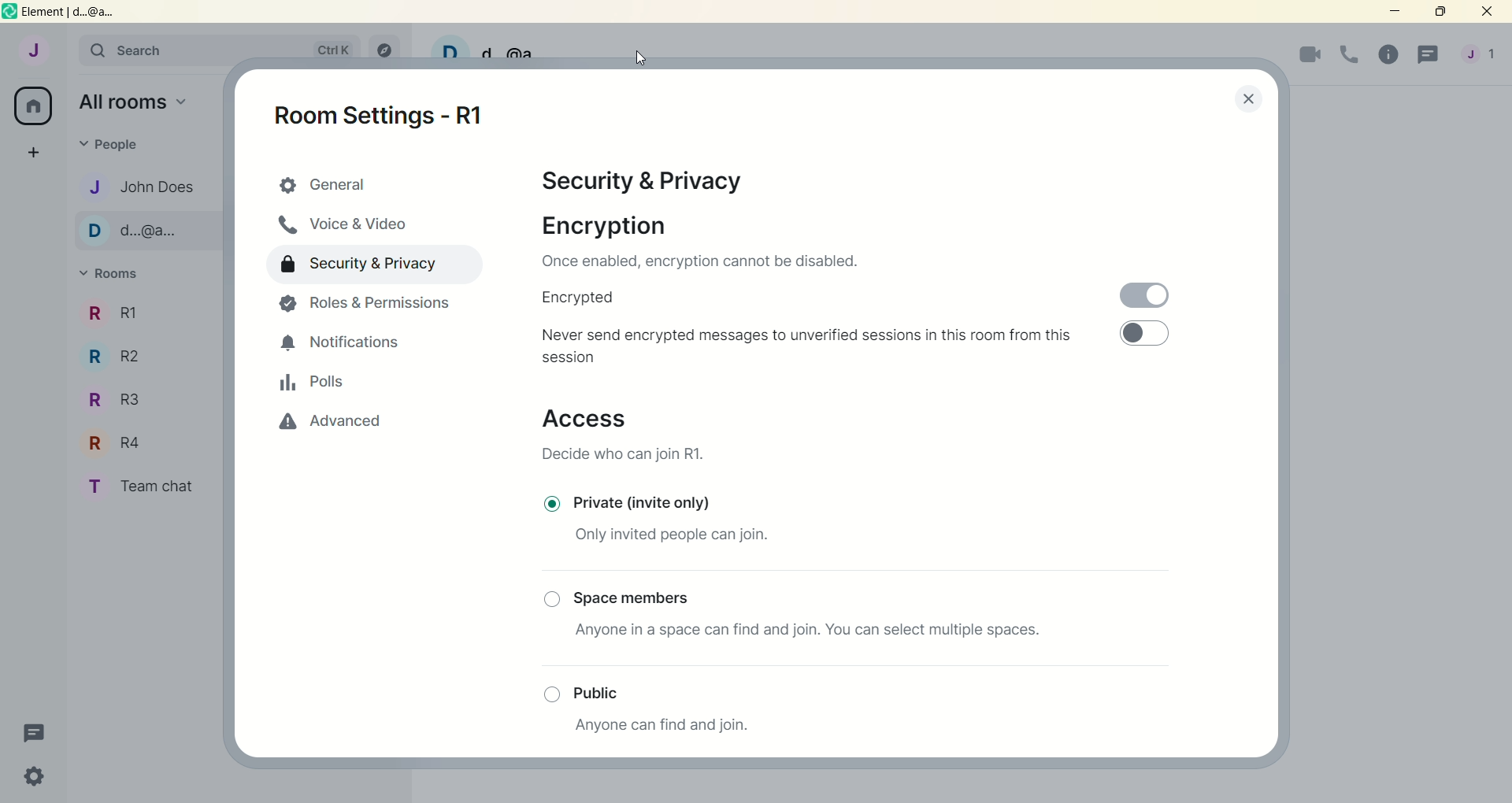 Image resolution: width=1512 pixels, height=803 pixels. What do you see at coordinates (649, 500) in the screenshot?
I see `private (invite only)` at bounding box center [649, 500].